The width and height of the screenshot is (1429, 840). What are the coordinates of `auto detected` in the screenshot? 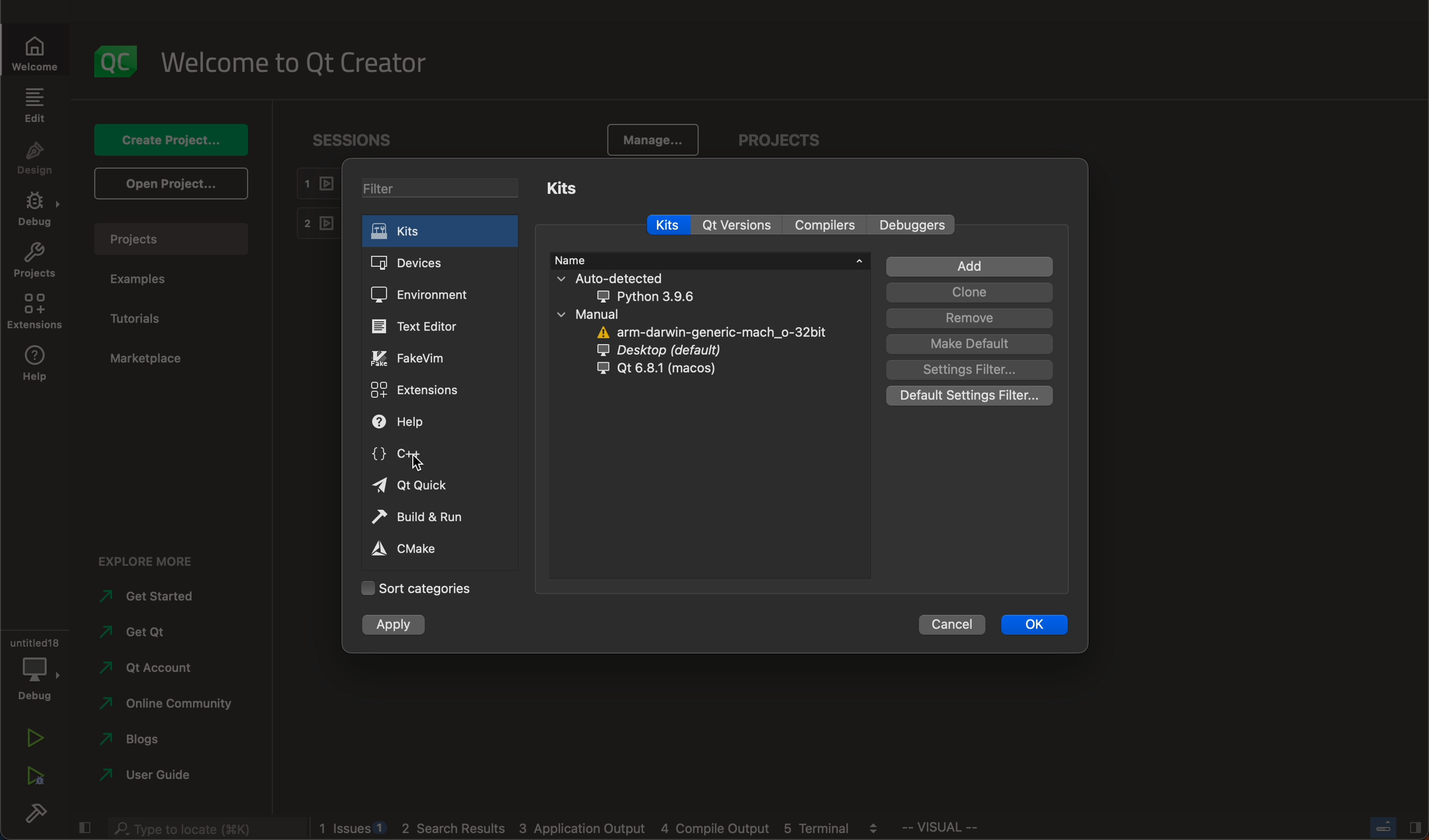 It's located at (635, 287).